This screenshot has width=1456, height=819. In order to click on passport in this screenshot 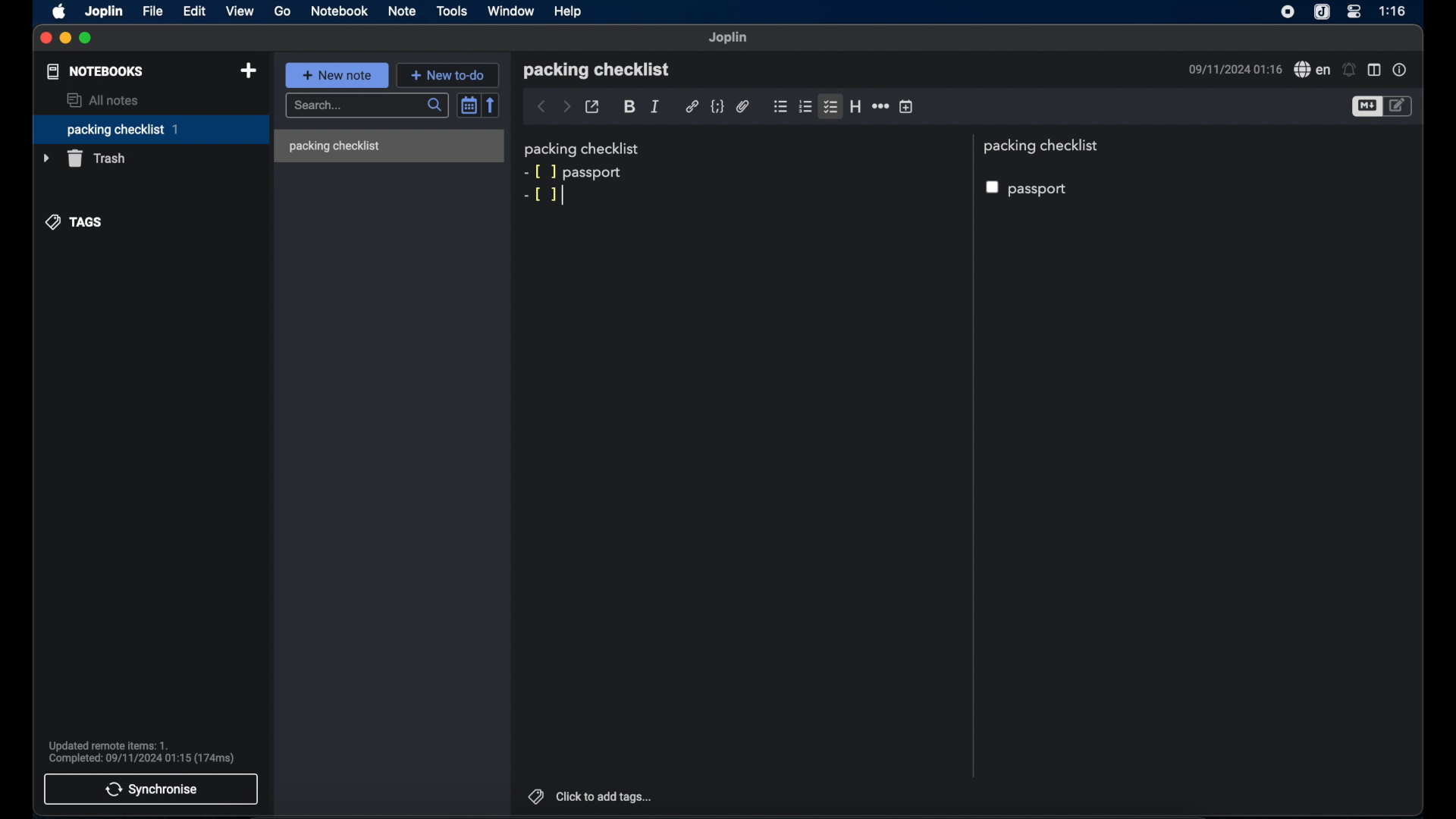, I will do `click(595, 172)`.